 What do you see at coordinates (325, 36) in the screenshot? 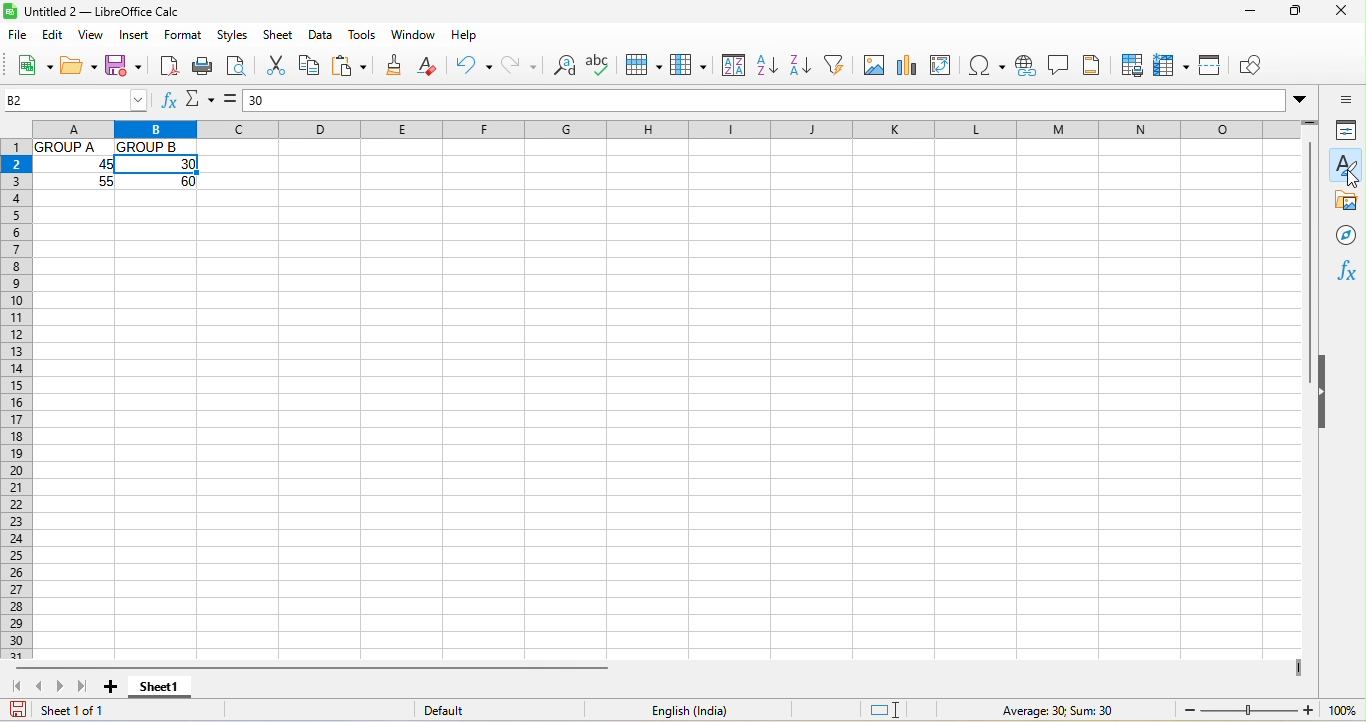
I see `data` at bounding box center [325, 36].